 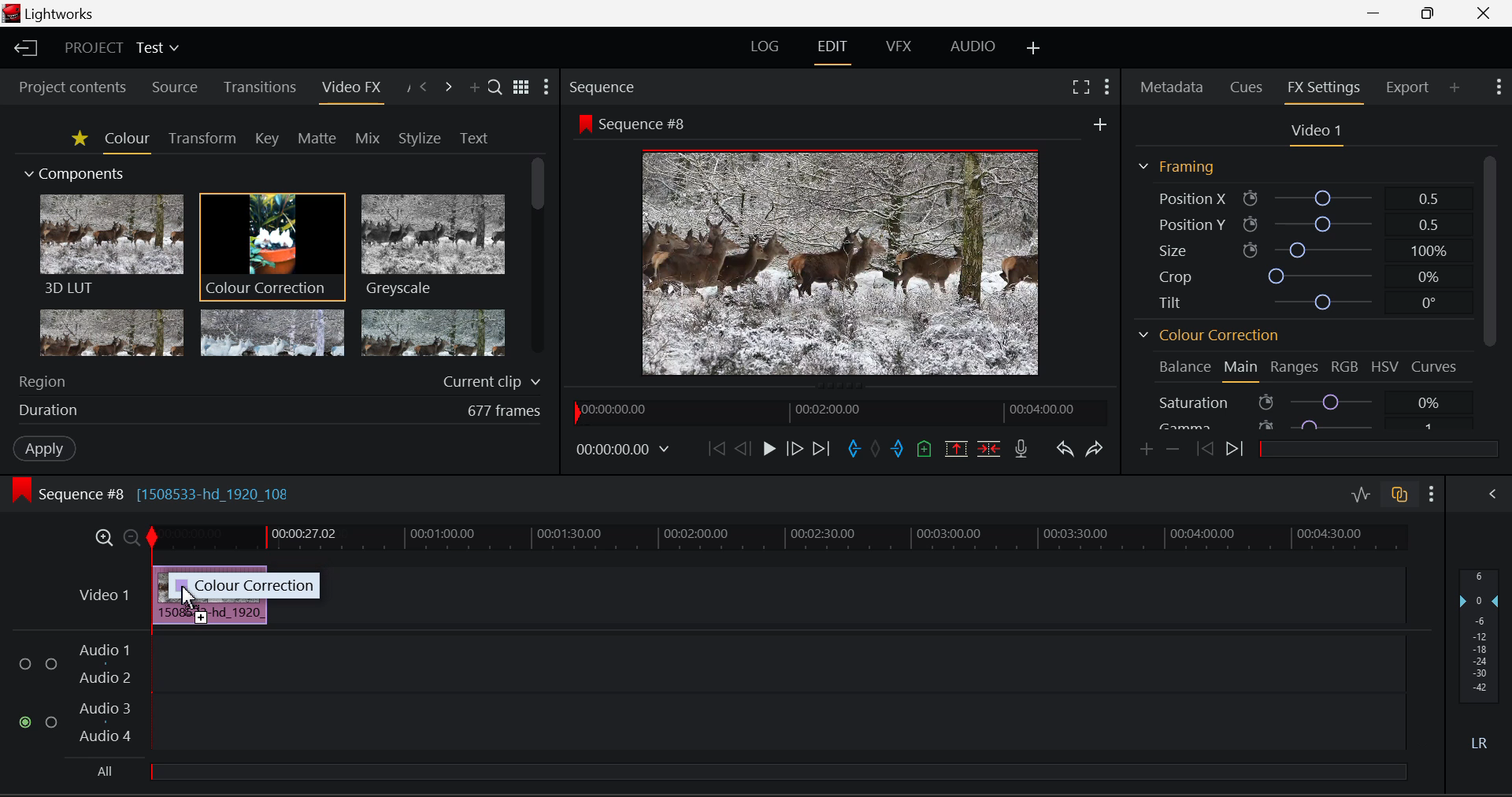 I want to click on Minimize, so click(x=1431, y=13).